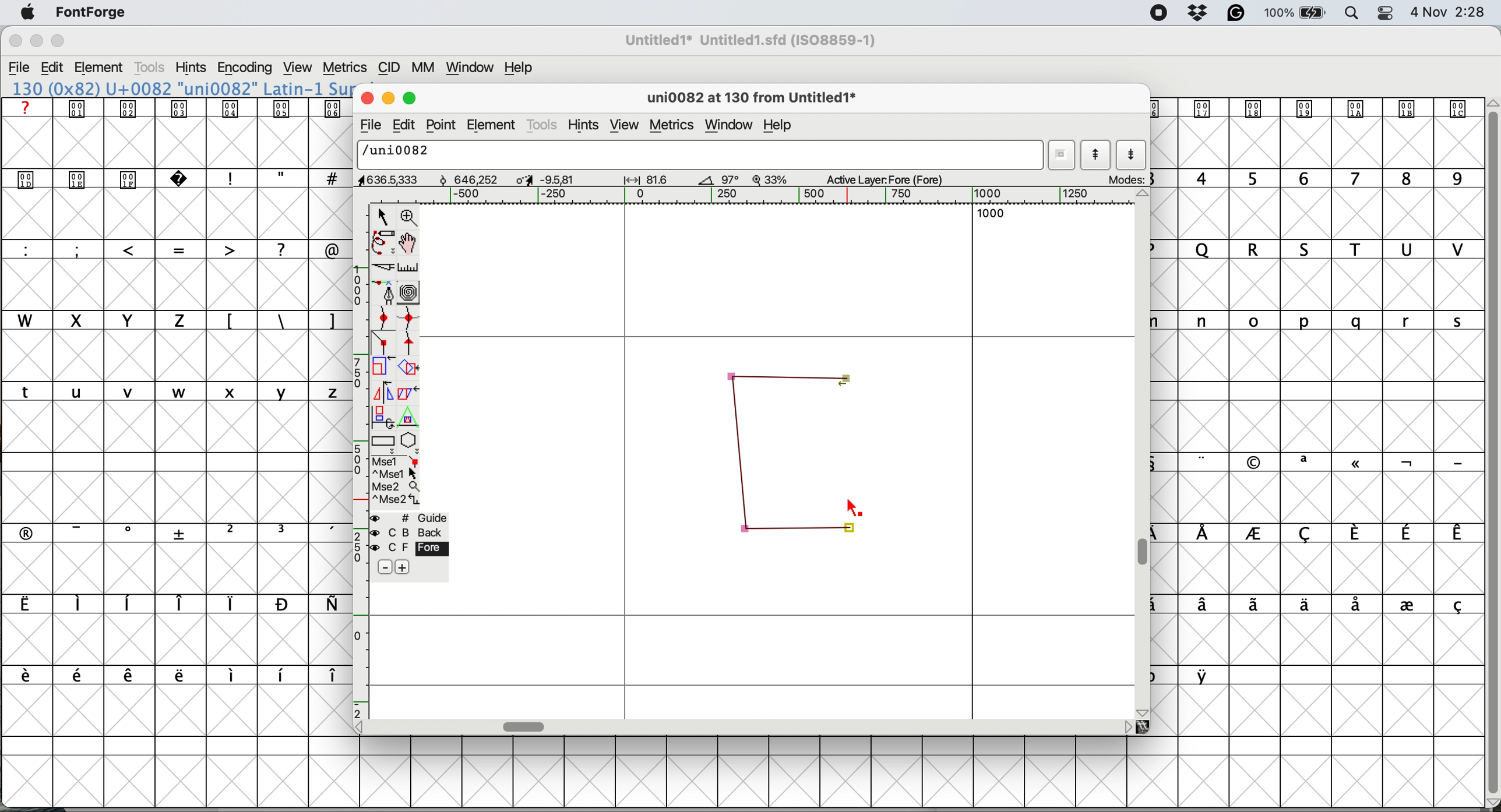 This screenshot has height=812, width=1501. I want to click on symbol, so click(1313, 108).